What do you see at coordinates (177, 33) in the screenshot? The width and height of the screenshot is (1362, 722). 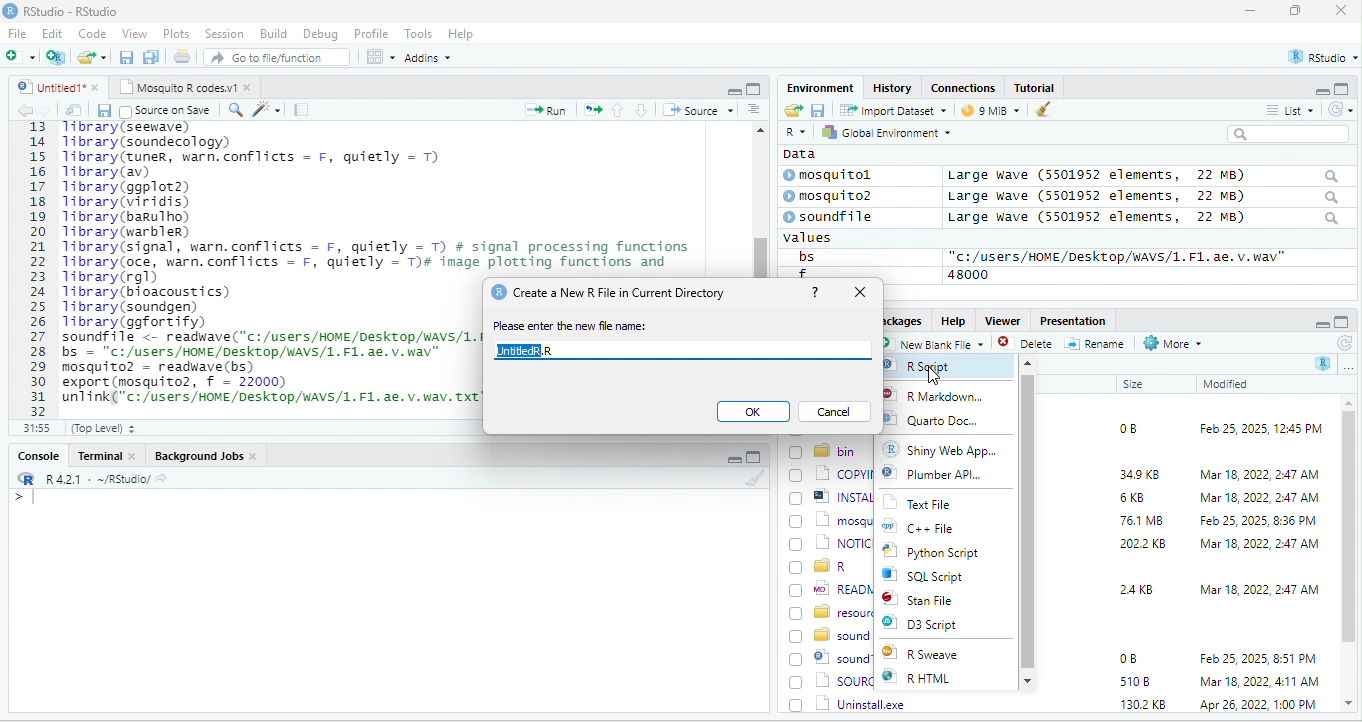 I see `Plots` at bounding box center [177, 33].